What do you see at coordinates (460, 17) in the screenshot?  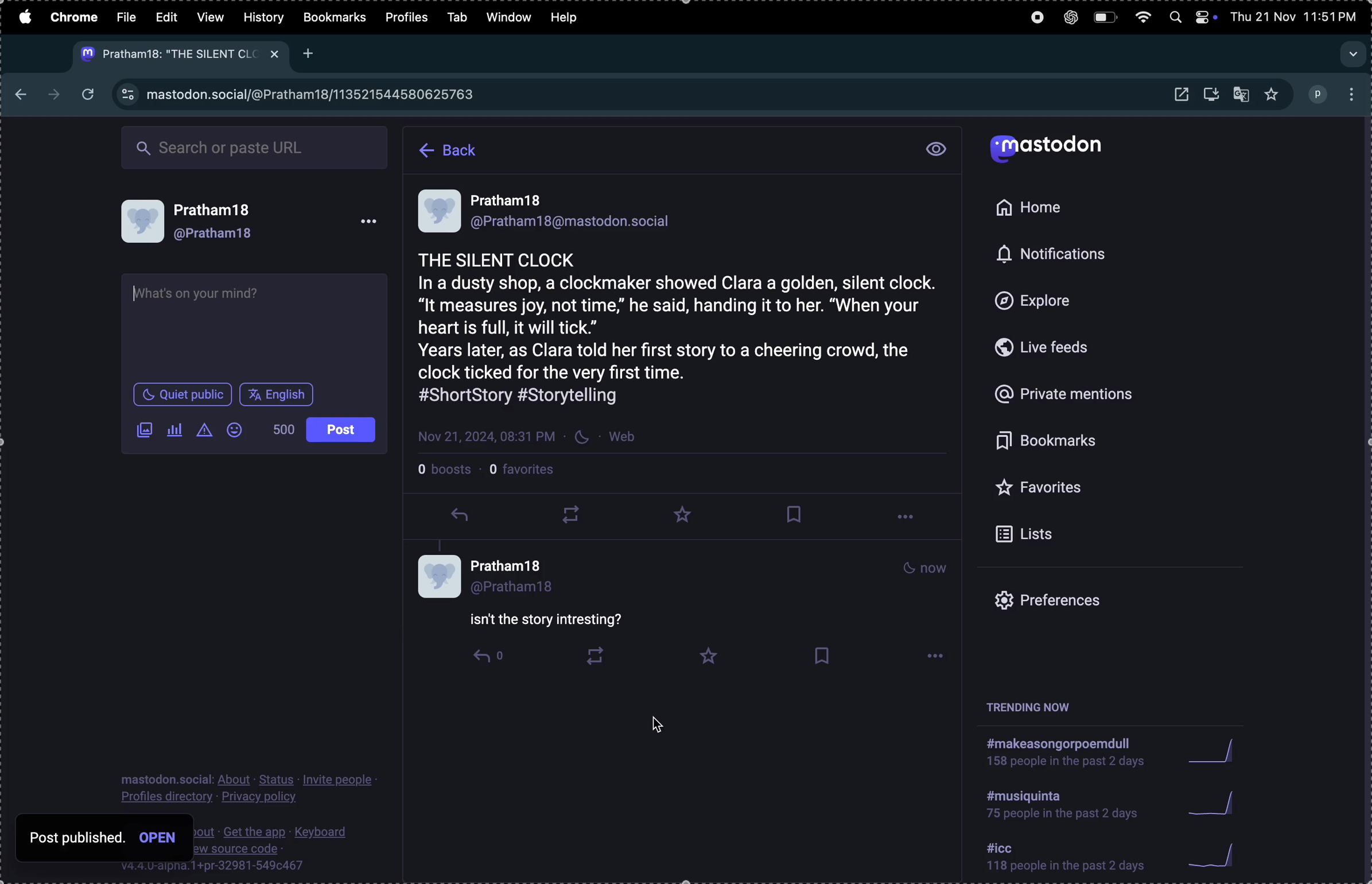 I see `tab` at bounding box center [460, 17].